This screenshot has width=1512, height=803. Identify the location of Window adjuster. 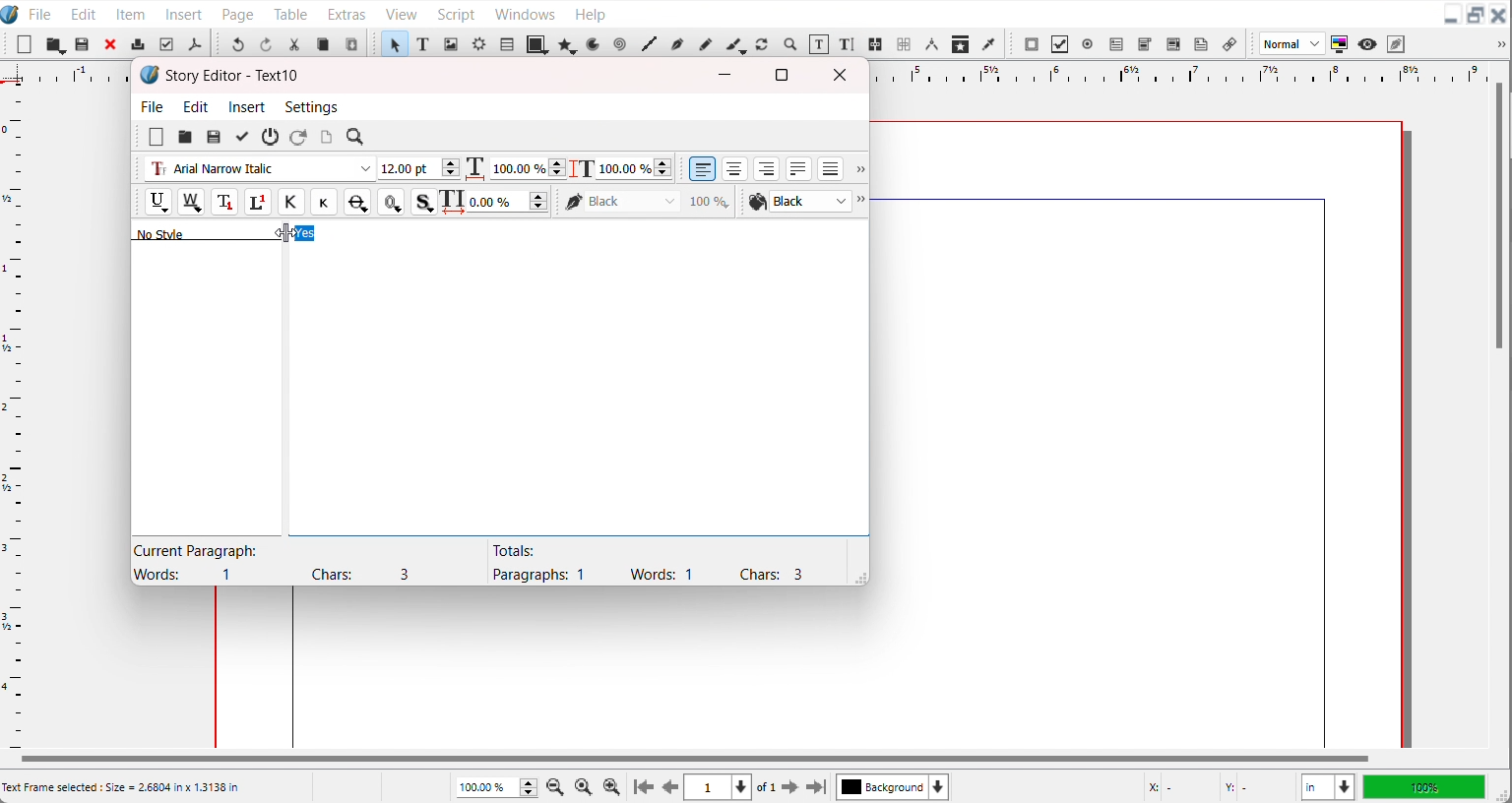
(857, 577).